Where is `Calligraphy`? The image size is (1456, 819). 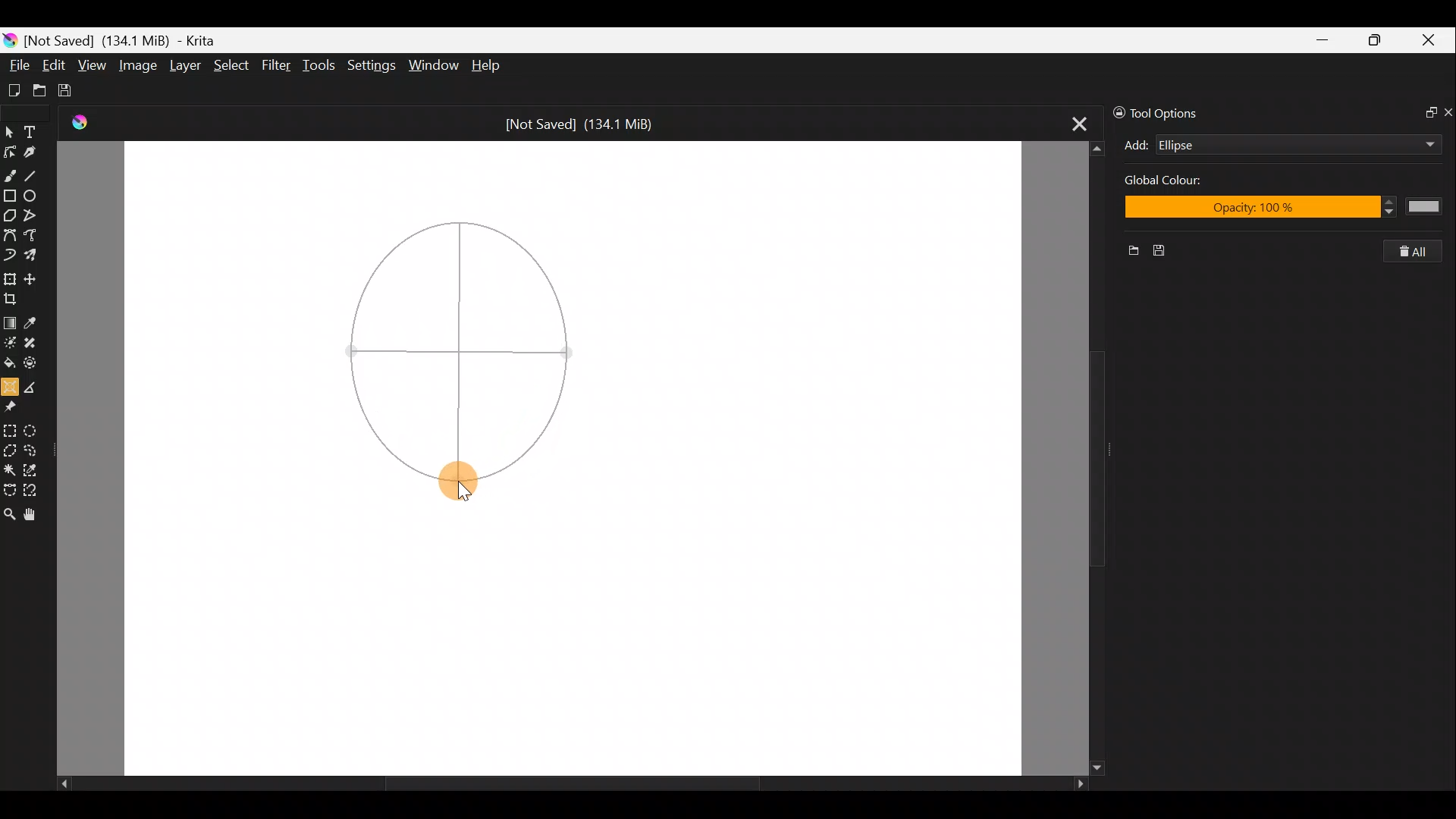
Calligraphy is located at coordinates (36, 149).